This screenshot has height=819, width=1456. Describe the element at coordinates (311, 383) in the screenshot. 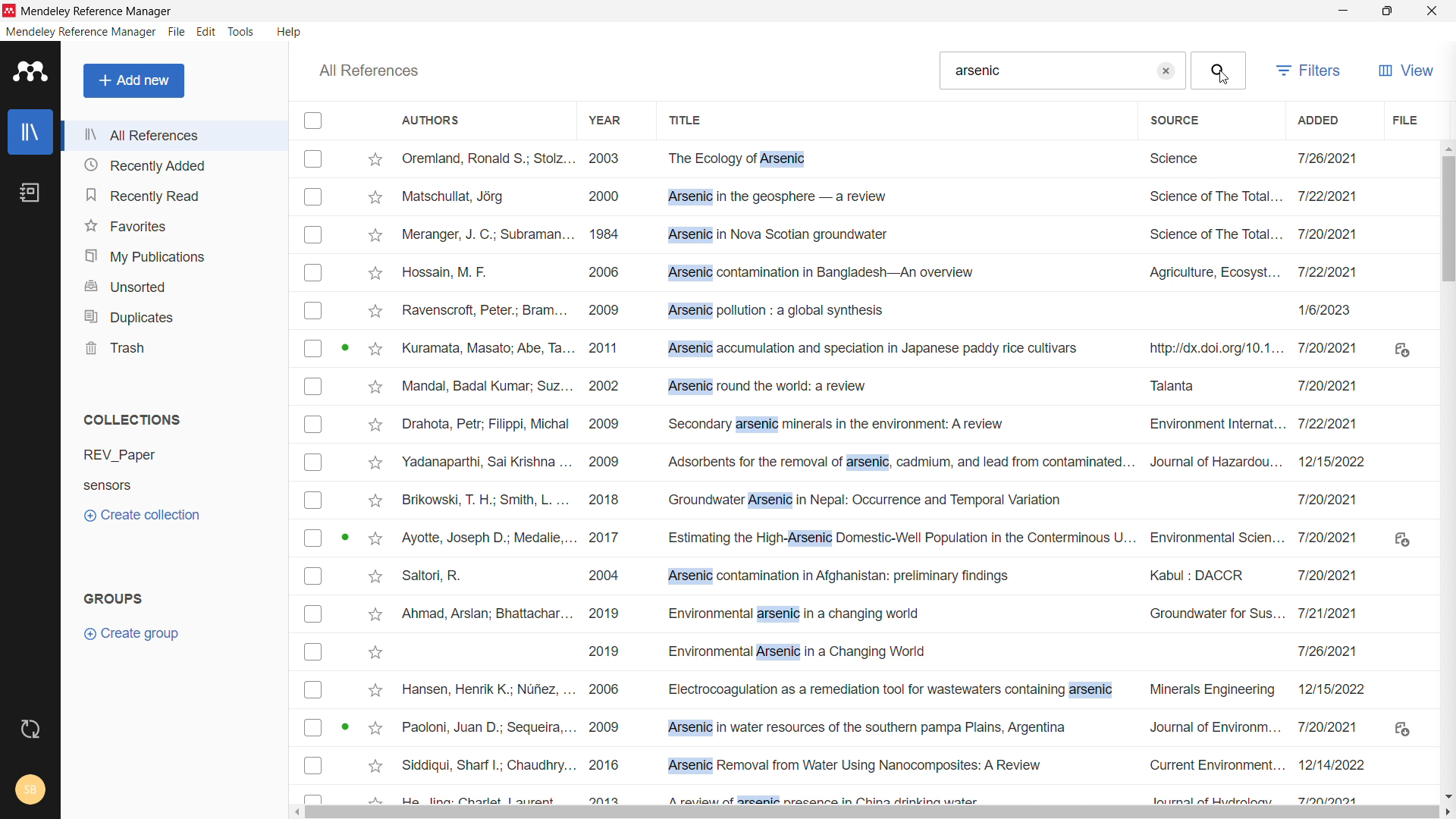

I see `Checkbox` at that location.